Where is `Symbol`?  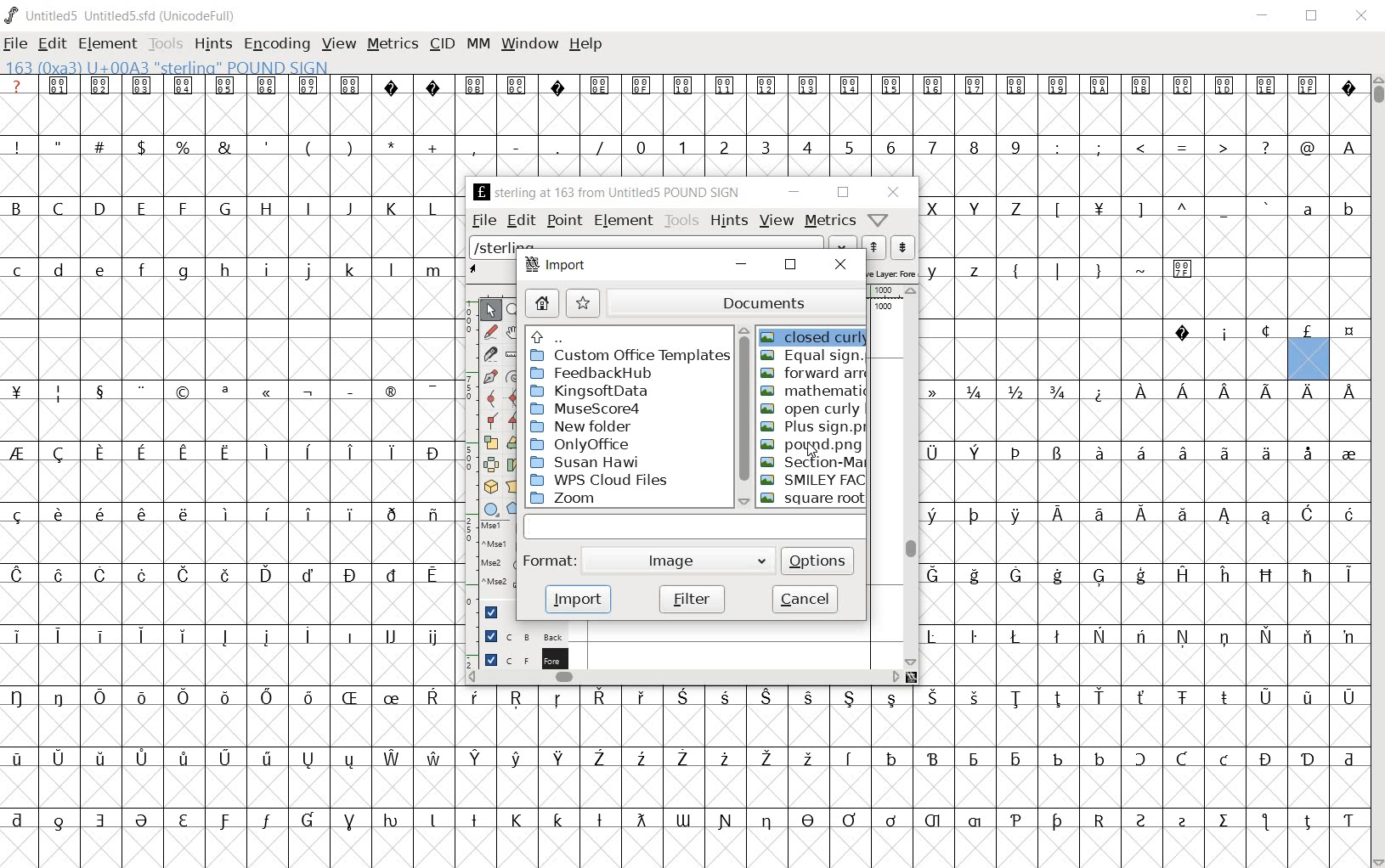 Symbol is located at coordinates (558, 699).